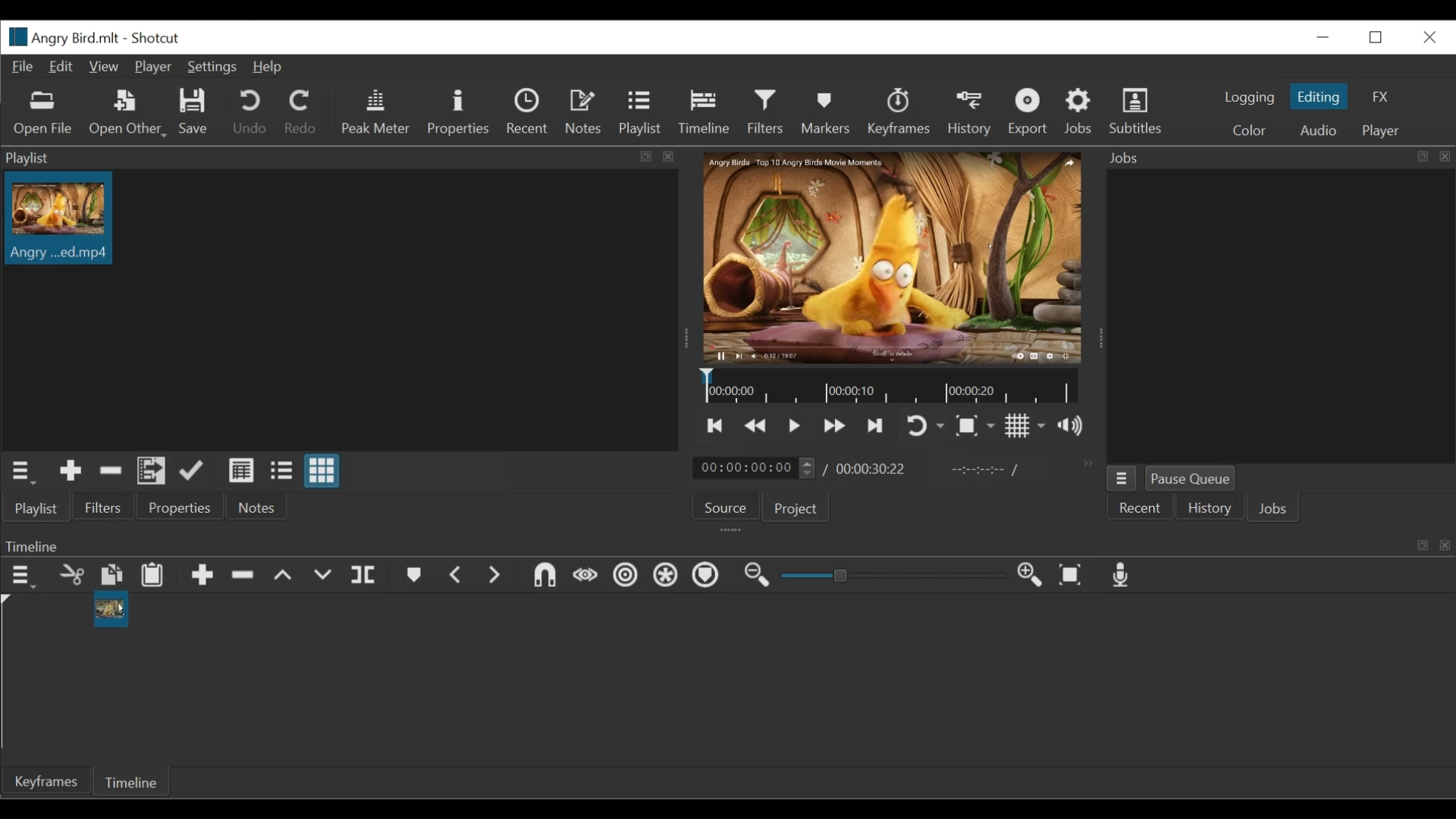 The image size is (1456, 819). What do you see at coordinates (756, 425) in the screenshot?
I see `Play quickly forward` at bounding box center [756, 425].